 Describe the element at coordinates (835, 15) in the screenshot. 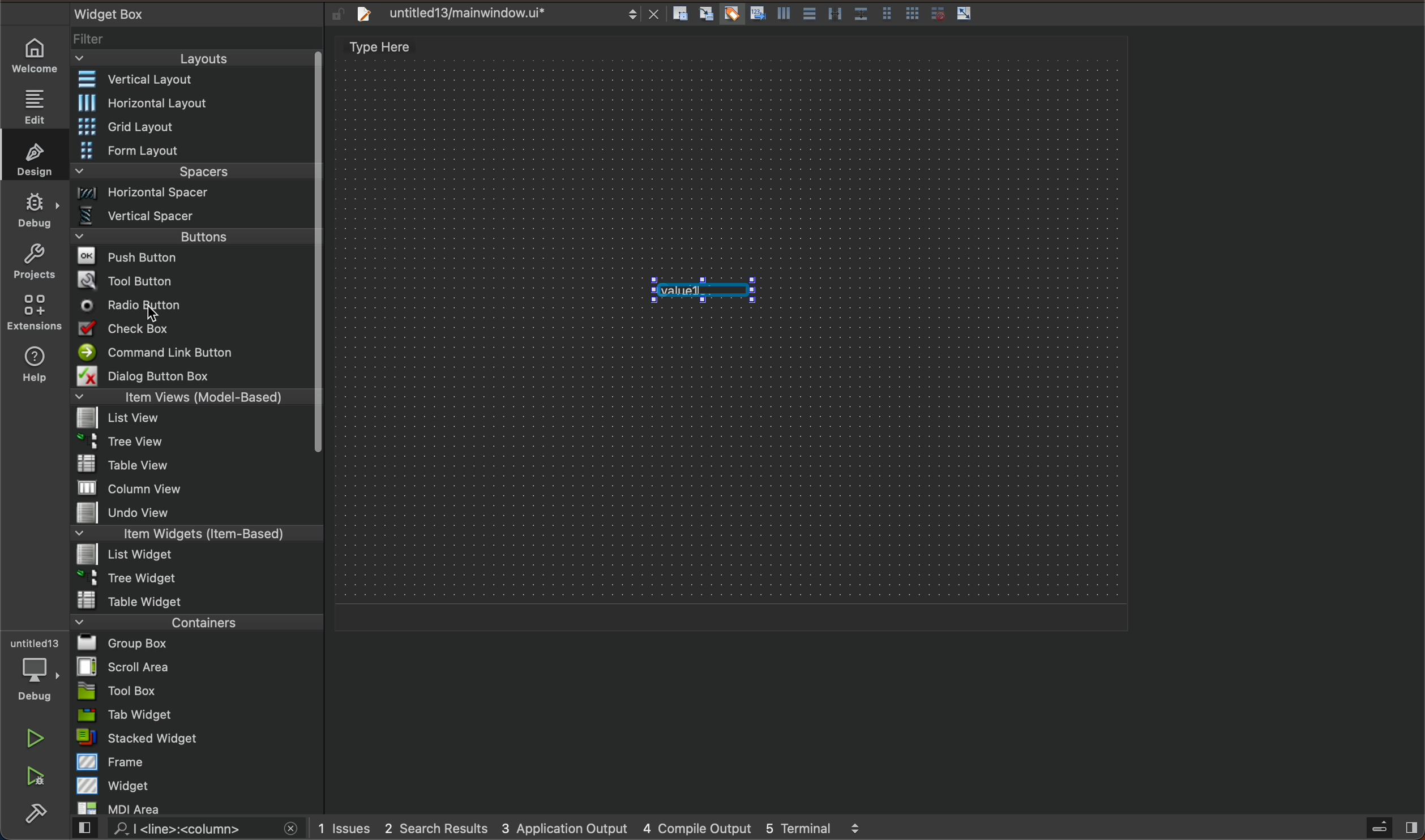

I see `` at that location.